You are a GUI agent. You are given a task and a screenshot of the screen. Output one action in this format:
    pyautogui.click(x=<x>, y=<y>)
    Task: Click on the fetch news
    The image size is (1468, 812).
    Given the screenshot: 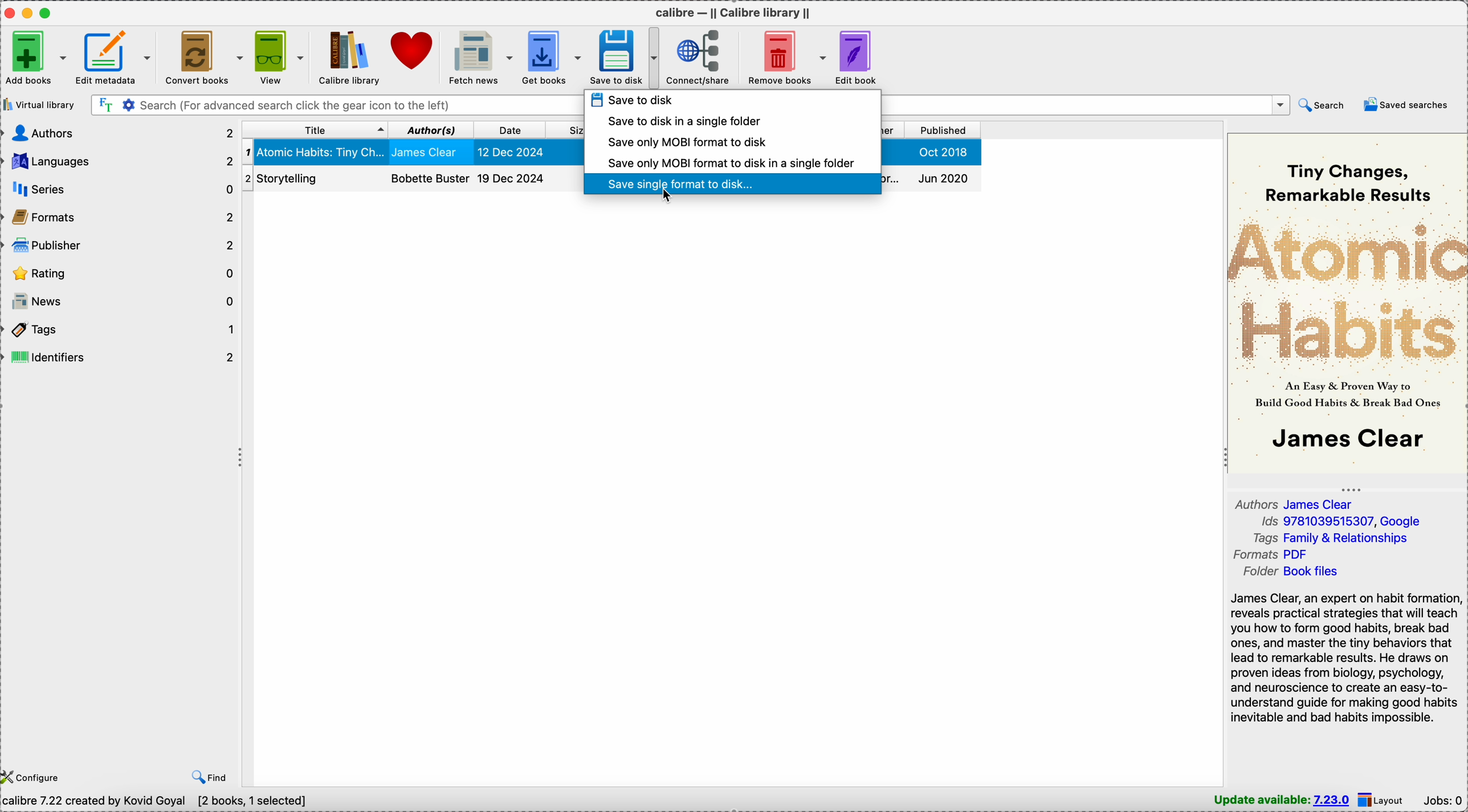 What is the action you would take?
    pyautogui.click(x=478, y=56)
    